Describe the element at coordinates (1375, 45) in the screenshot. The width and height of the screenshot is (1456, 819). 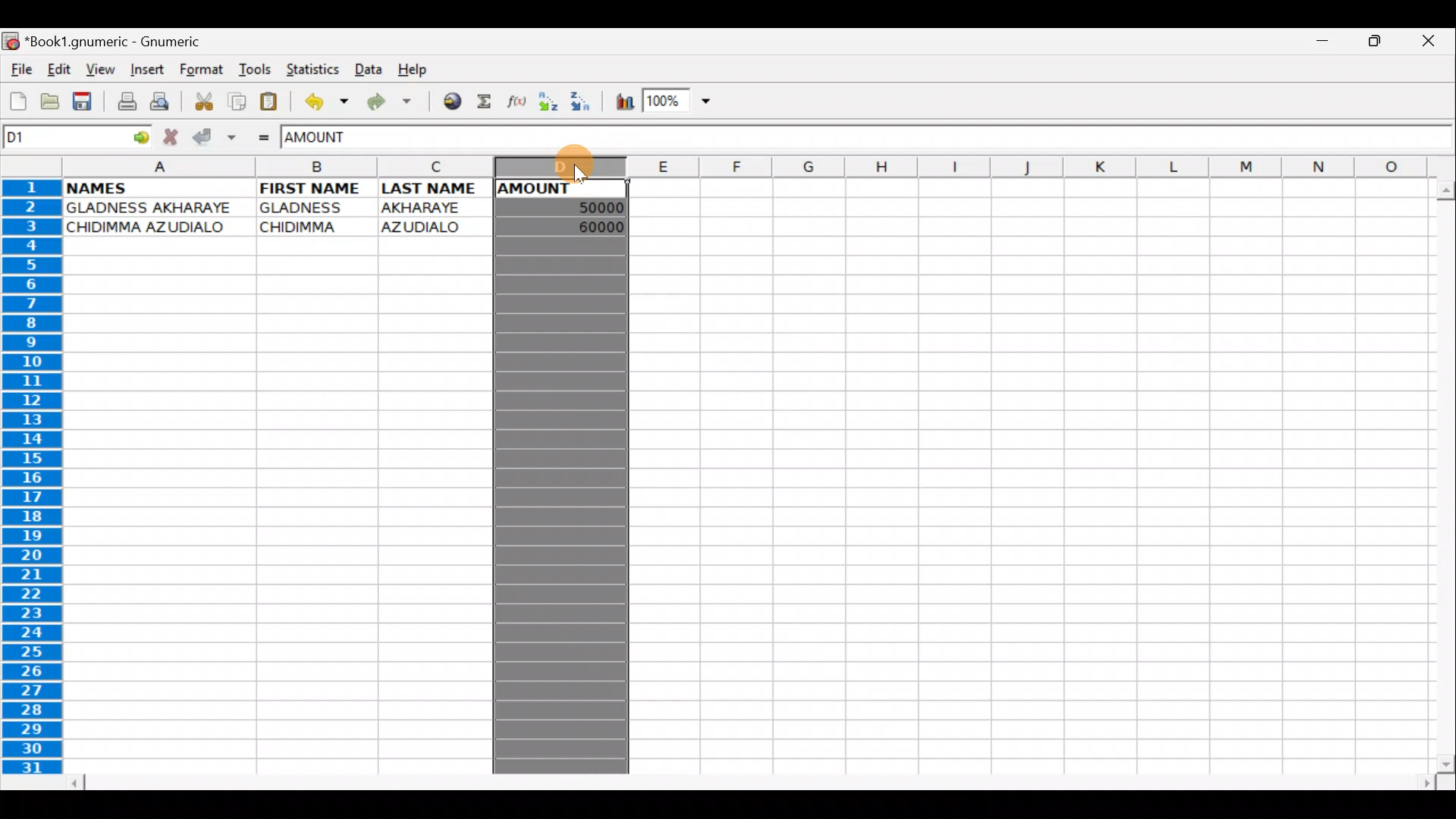
I see `Maximize` at that location.